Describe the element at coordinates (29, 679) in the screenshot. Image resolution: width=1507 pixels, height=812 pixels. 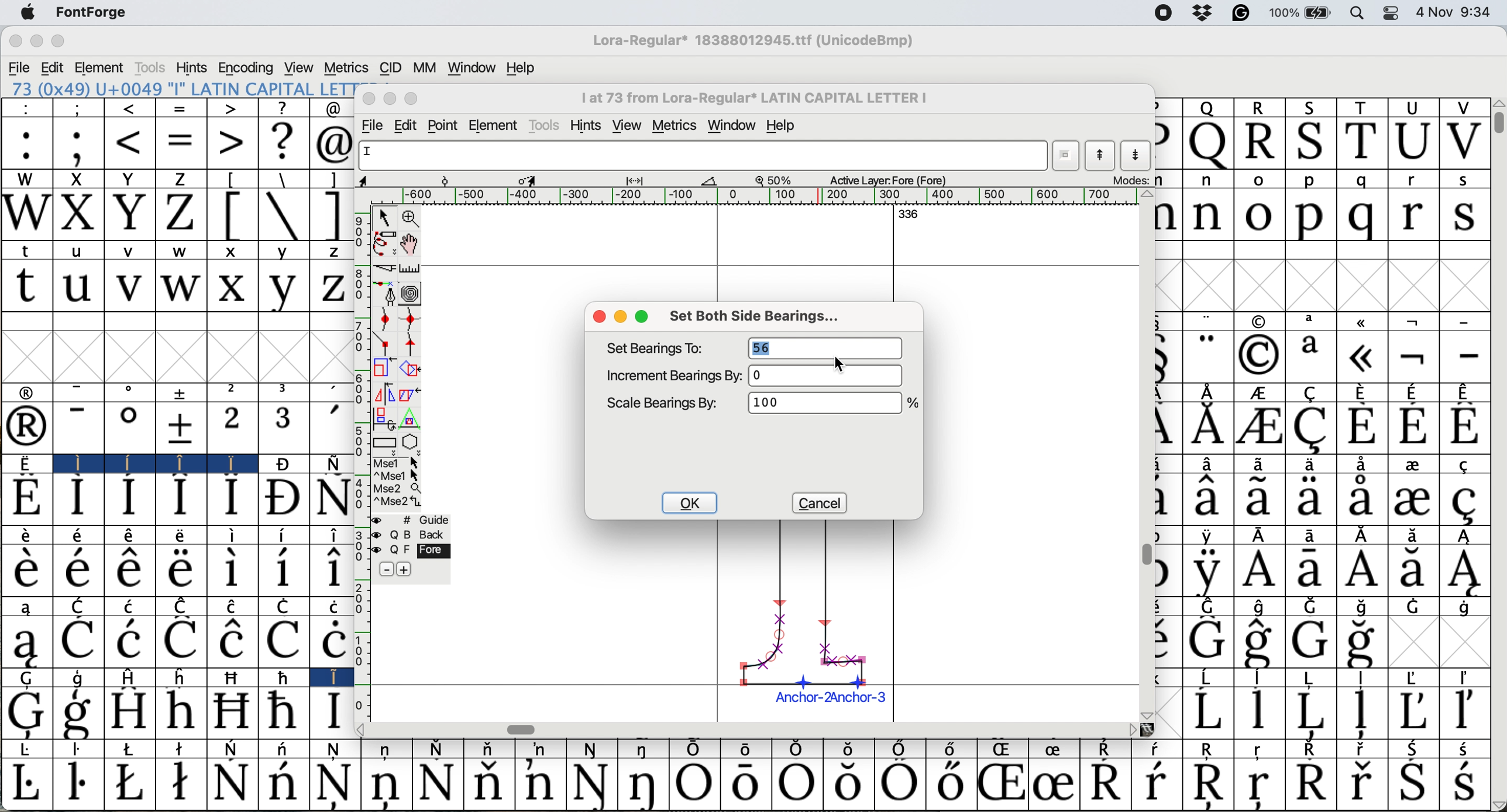
I see `G` at that location.